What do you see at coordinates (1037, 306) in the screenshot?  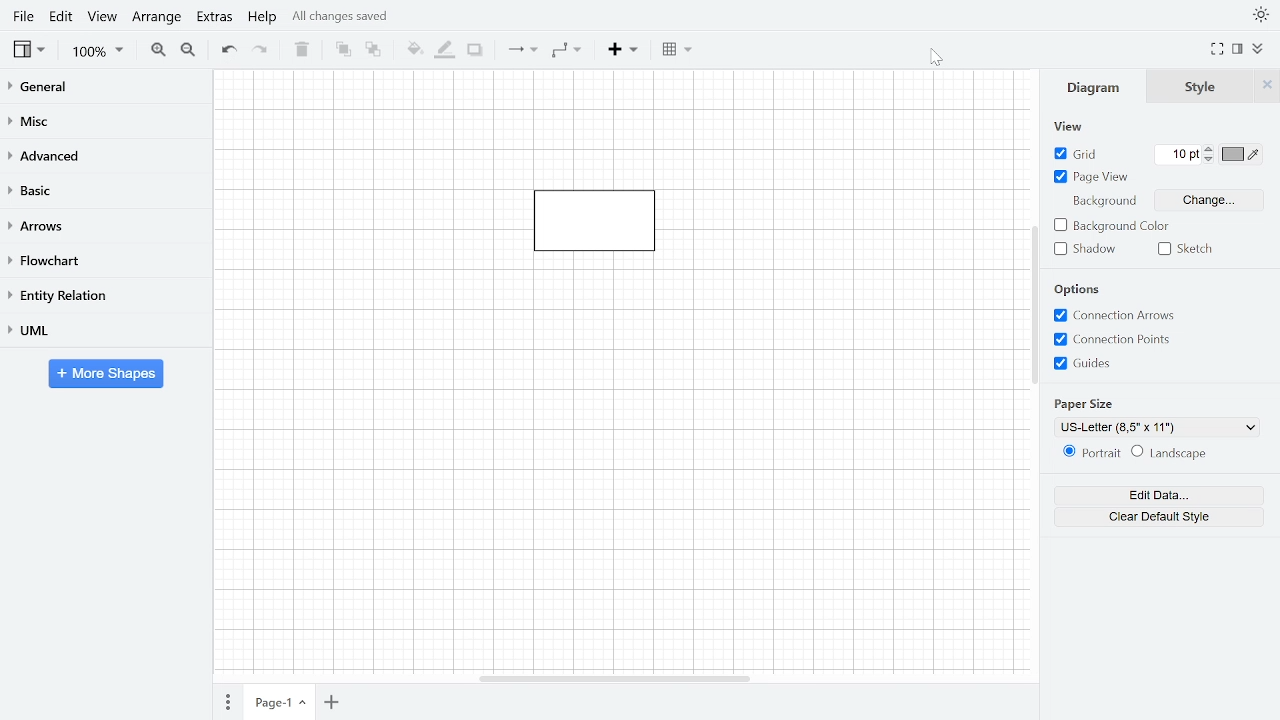 I see `Vertical scrollbar` at bounding box center [1037, 306].